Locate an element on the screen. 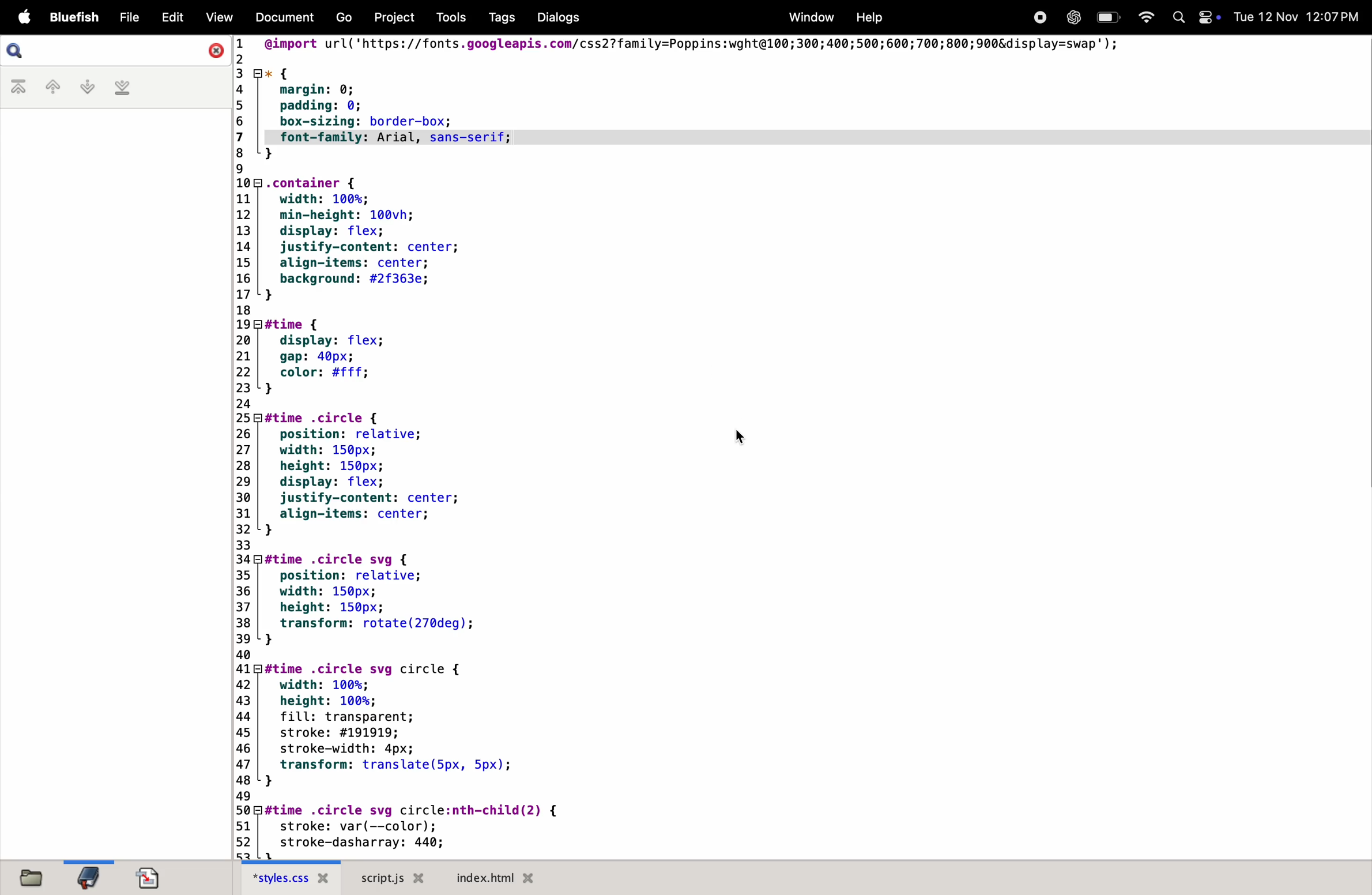 This screenshot has height=895, width=1372. open bookmark is located at coordinates (89, 877).